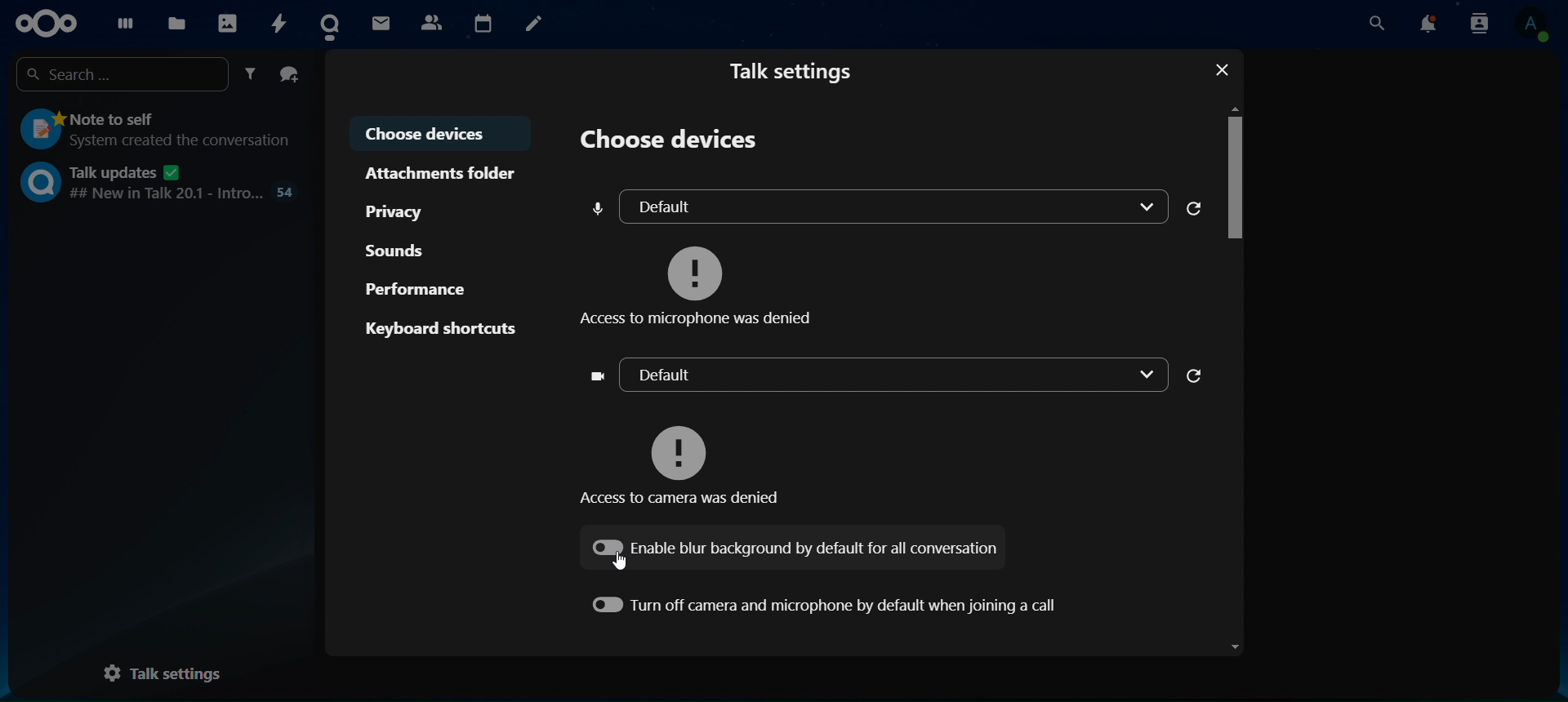 The height and width of the screenshot is (702, 1568). Describe the element at coordinates (415, 289) in the screenshot. I see `performance` at that location.